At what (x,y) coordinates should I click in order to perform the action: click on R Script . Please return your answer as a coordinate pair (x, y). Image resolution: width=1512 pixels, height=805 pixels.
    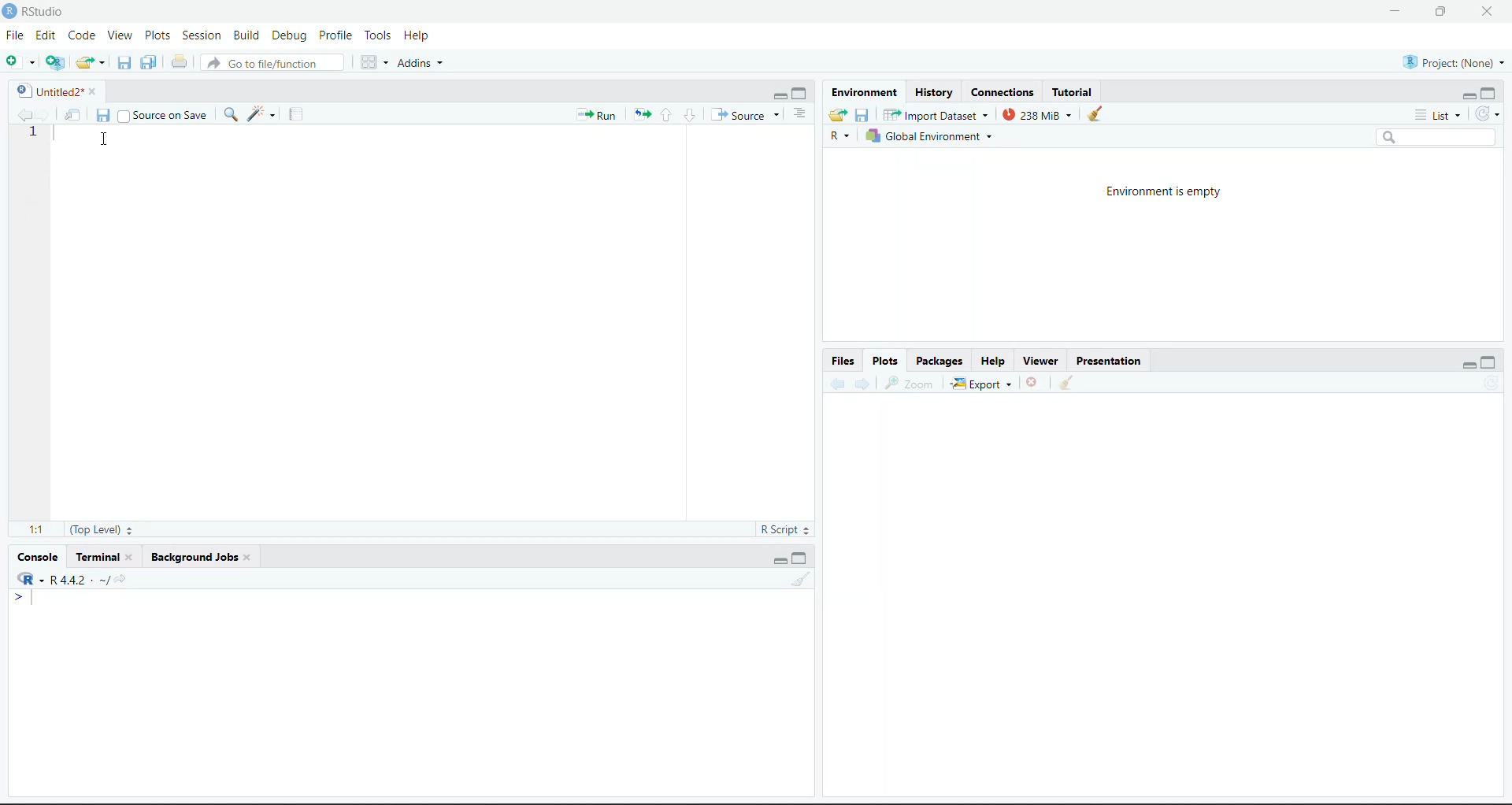
    Looking at the image, I should click on (784, 529).